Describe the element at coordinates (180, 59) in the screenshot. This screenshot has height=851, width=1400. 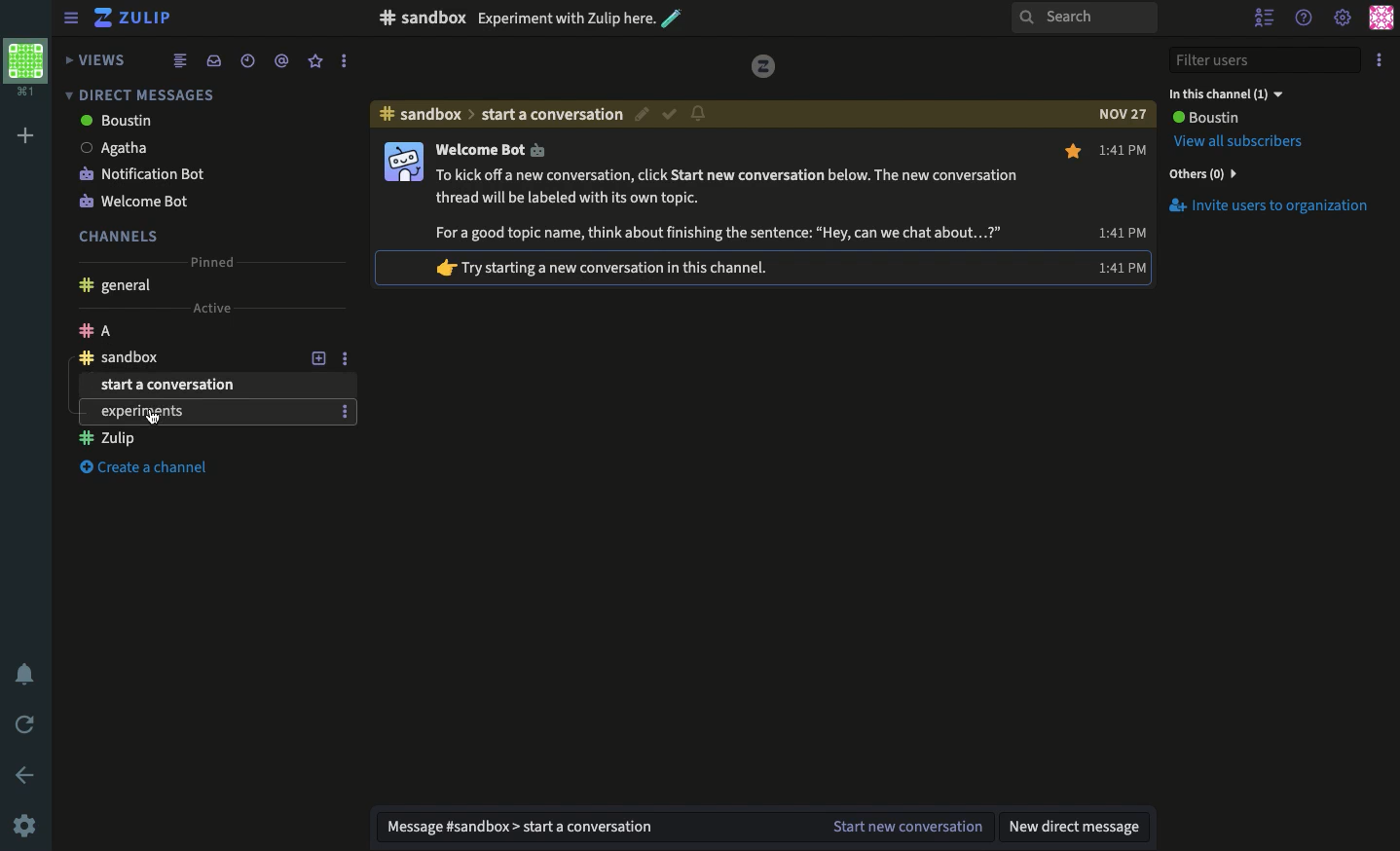
I see `Feed` at that location.